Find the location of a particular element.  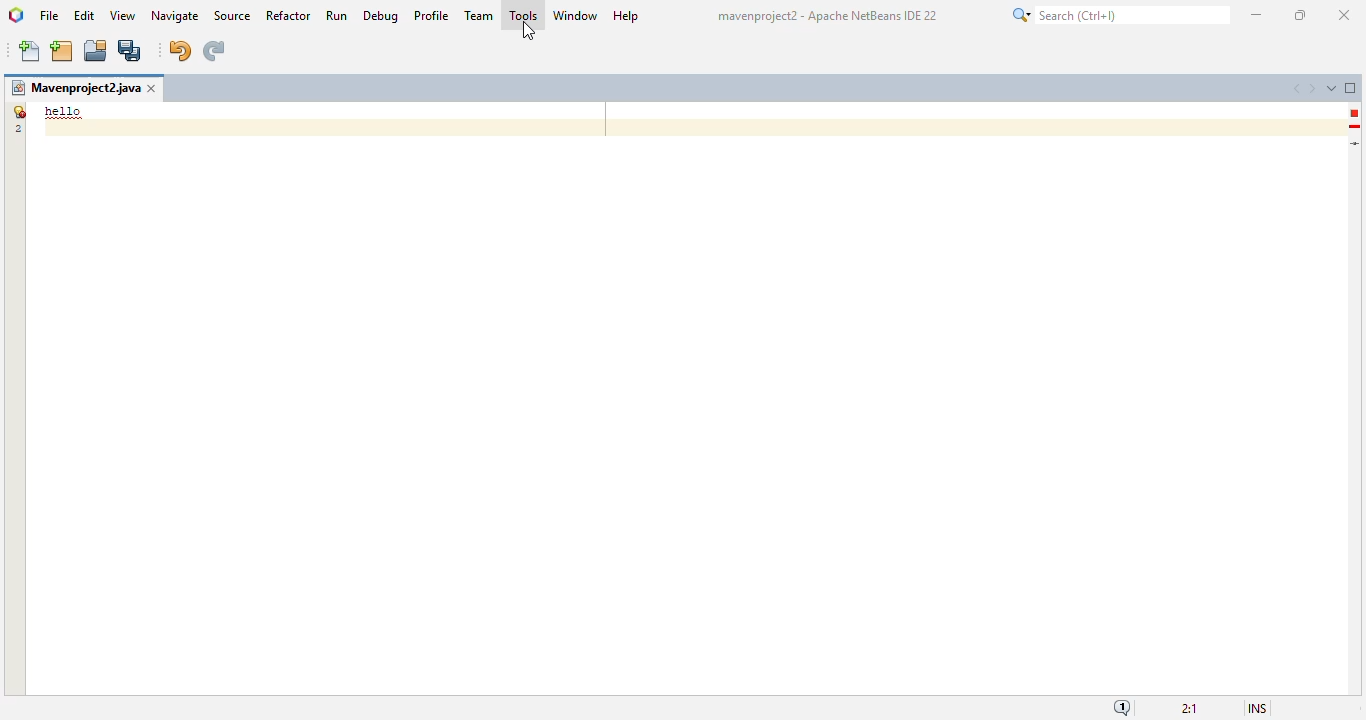

navigate is located at coordinates (176, 16).